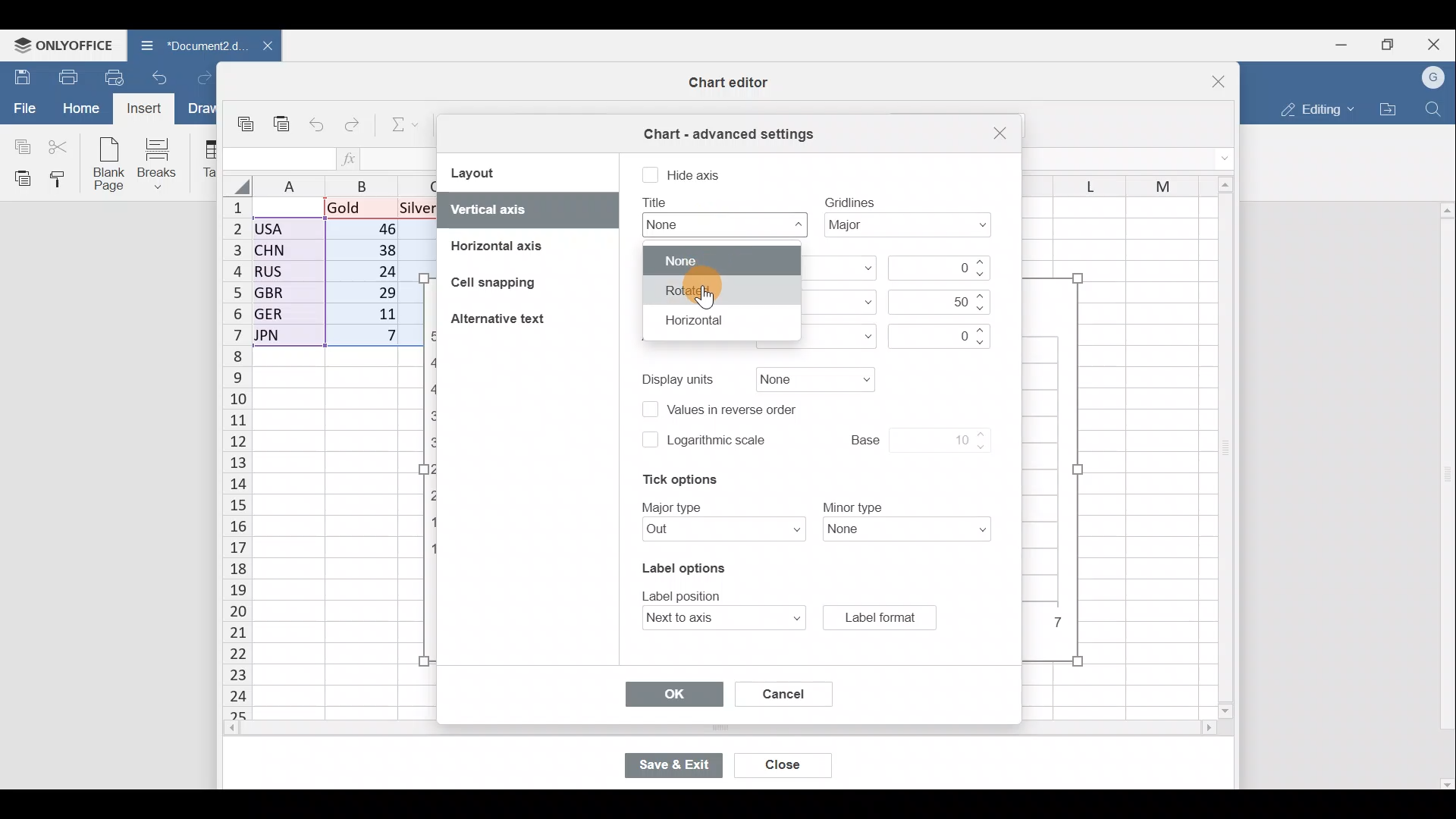 The width and height of the screenshot is (1456, 819). I want to click on Base, so click(904, 438).